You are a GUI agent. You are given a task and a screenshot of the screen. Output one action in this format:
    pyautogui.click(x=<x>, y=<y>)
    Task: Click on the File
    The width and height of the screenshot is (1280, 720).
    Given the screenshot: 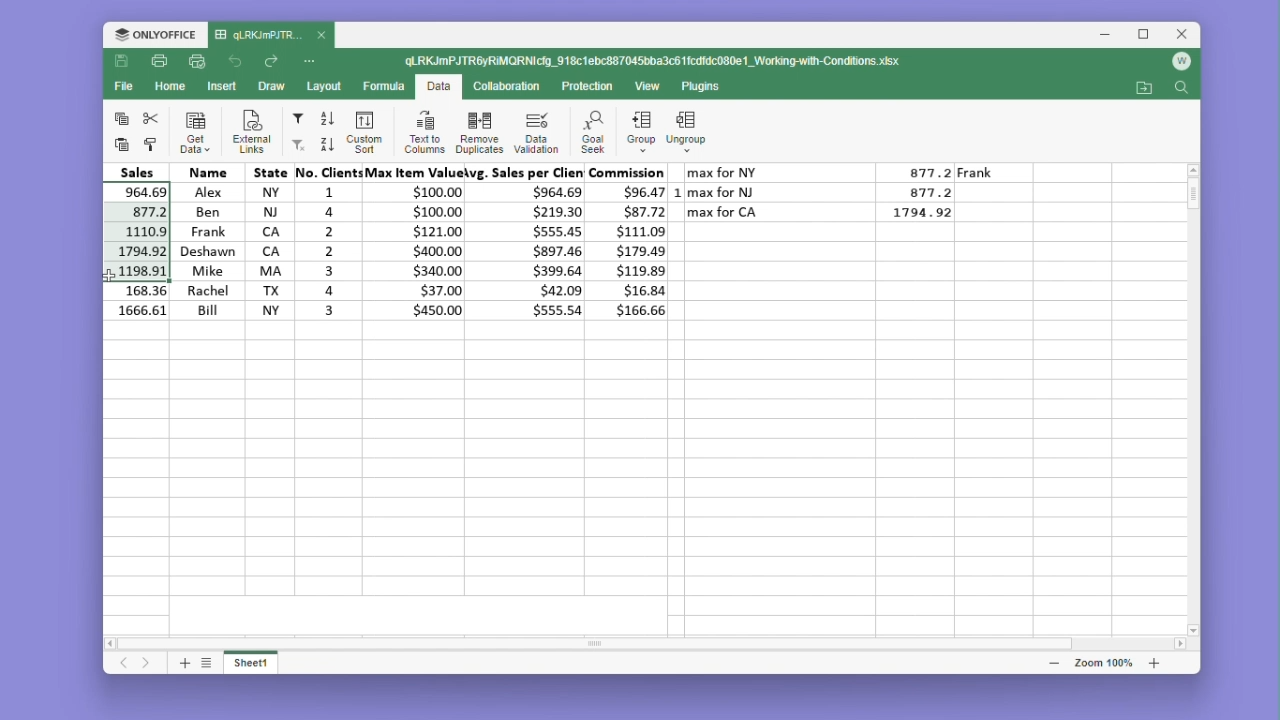 What is the action you would take?
    pyautogui.click(x=127, y=86)
    